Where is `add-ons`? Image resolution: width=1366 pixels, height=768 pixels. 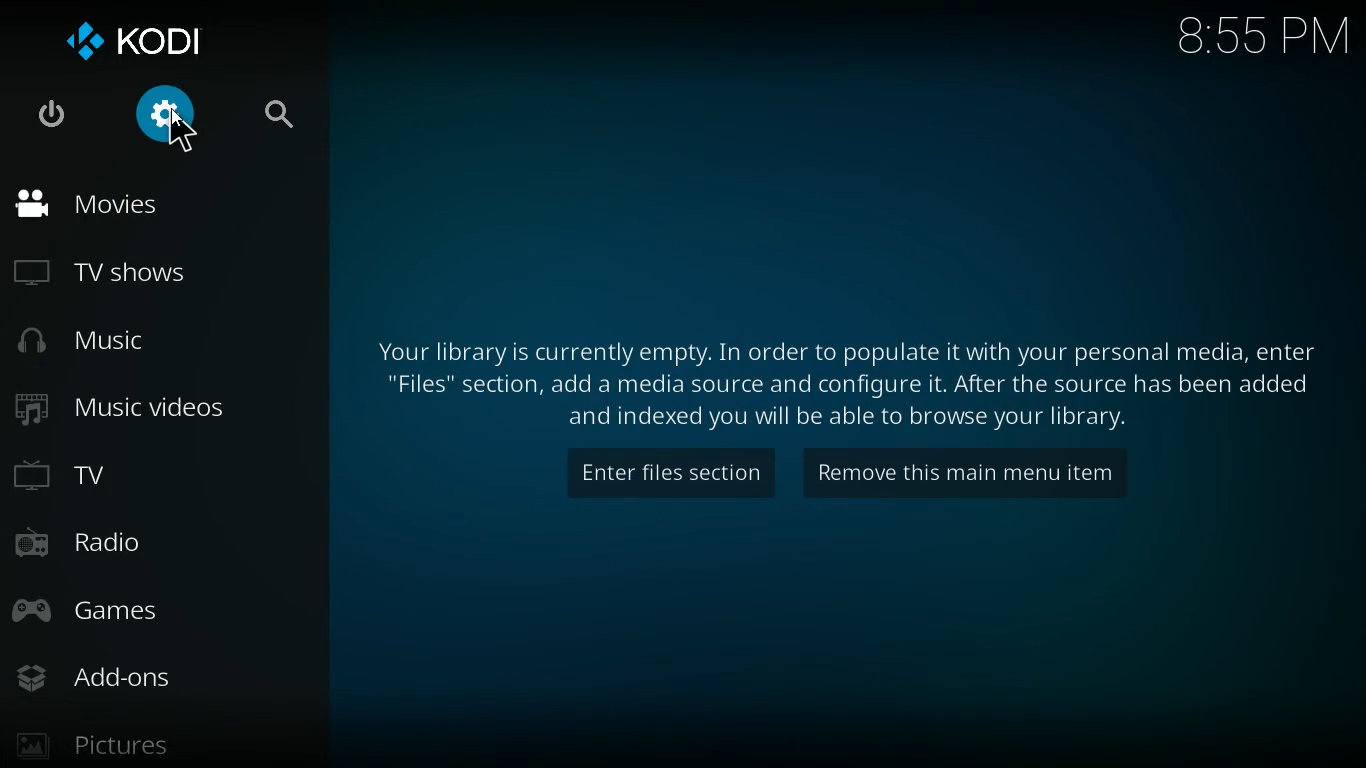 add-ons is located at coordinates (118, 674).